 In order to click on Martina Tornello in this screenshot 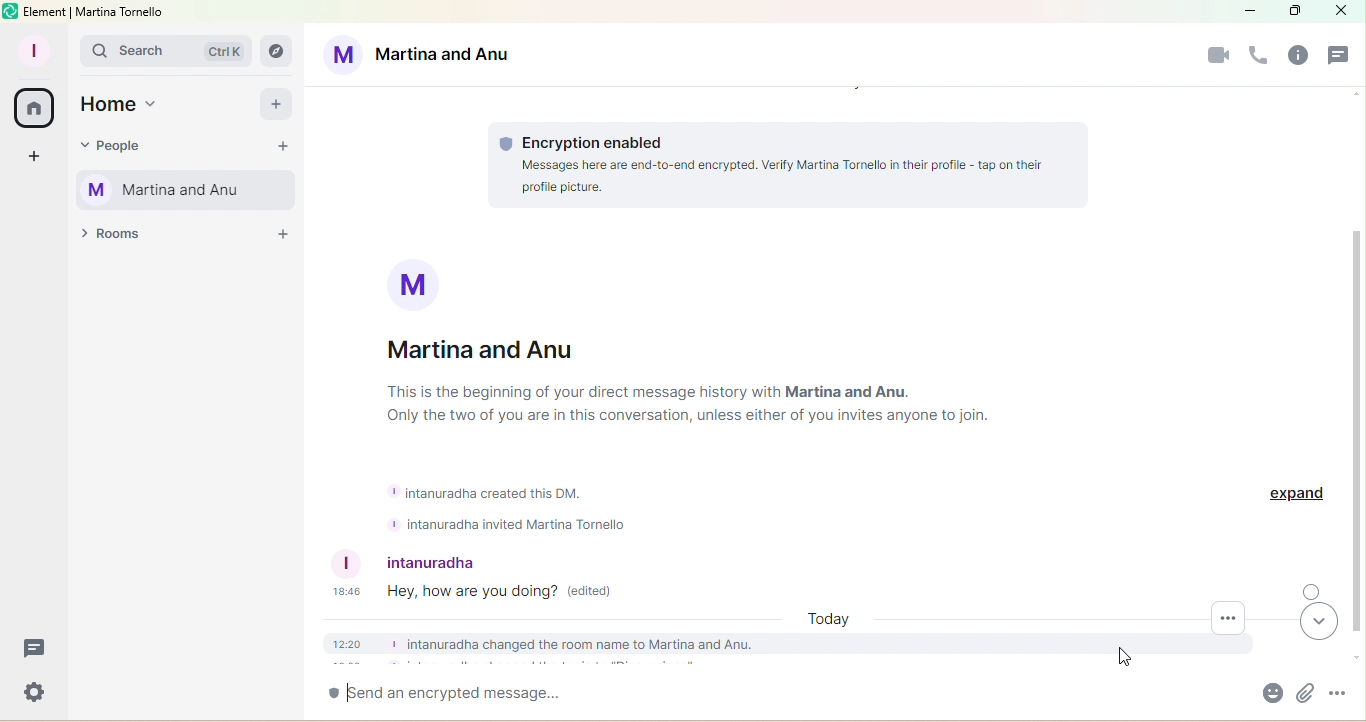, I will do `click(187, 191)`.